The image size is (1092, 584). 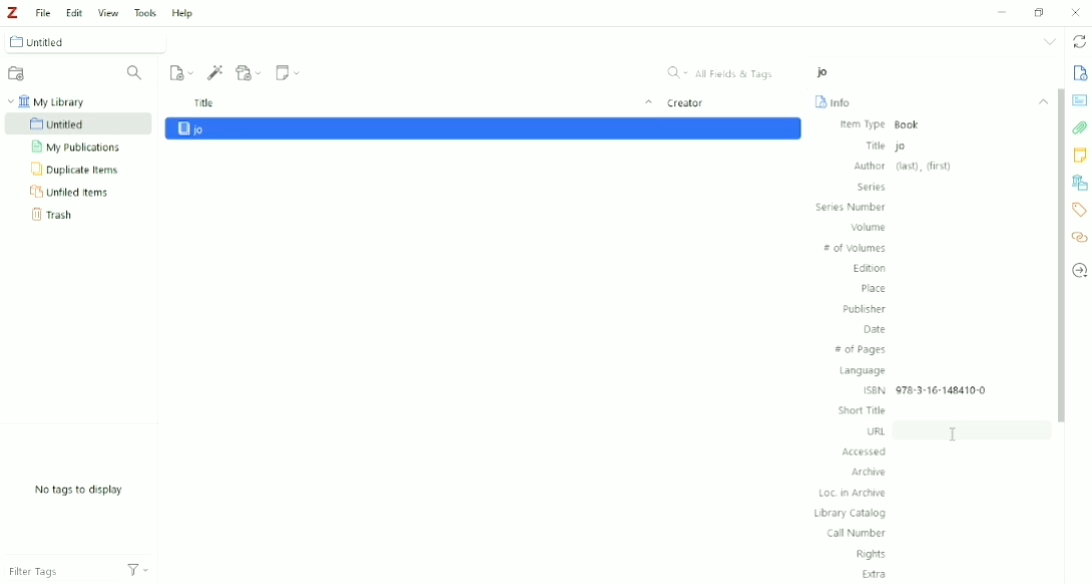 I want to click on My Library, so click(x=55, y=101).